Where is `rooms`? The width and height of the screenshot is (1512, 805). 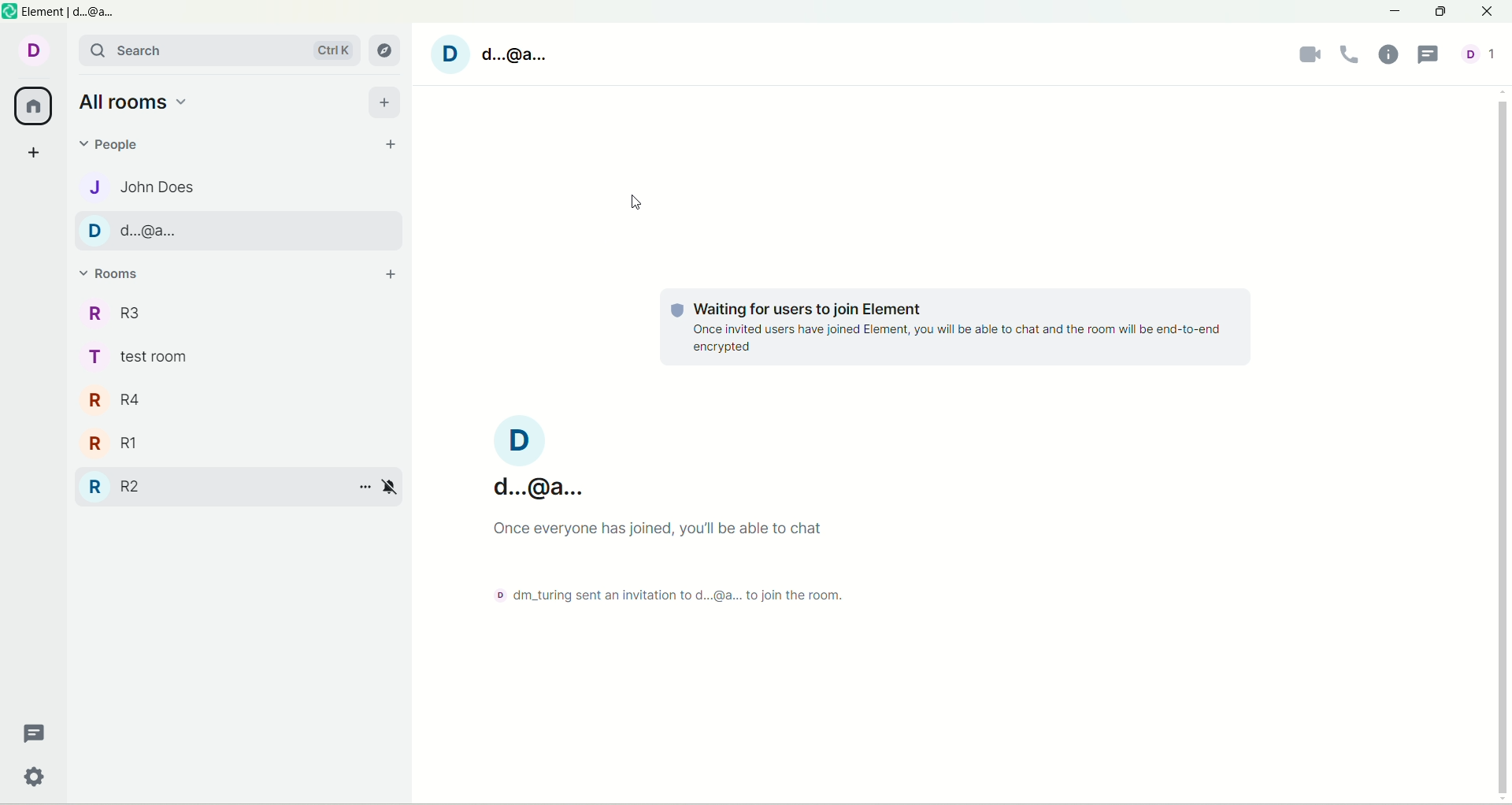 rooms is located at coordinates (117, 272).